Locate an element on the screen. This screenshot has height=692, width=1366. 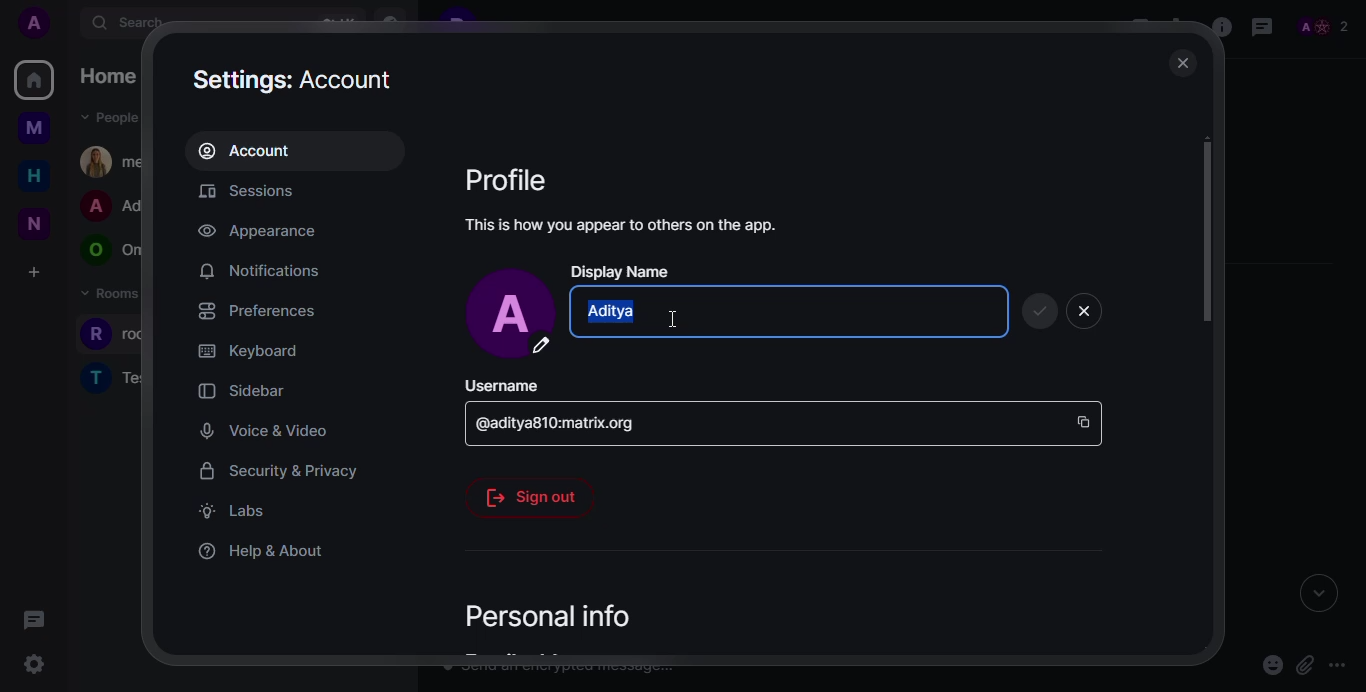
sign out is located at coordinates (528, 498).